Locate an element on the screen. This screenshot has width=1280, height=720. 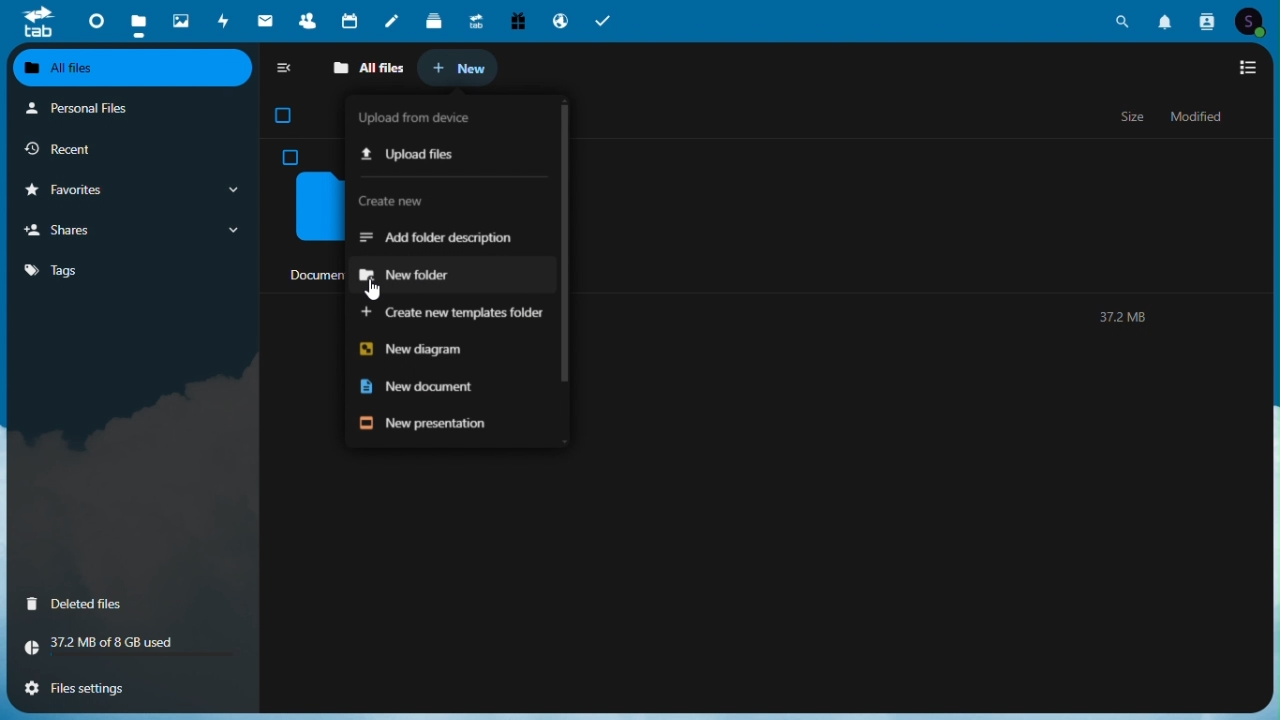
Photos is located at coordinates (181, 21).